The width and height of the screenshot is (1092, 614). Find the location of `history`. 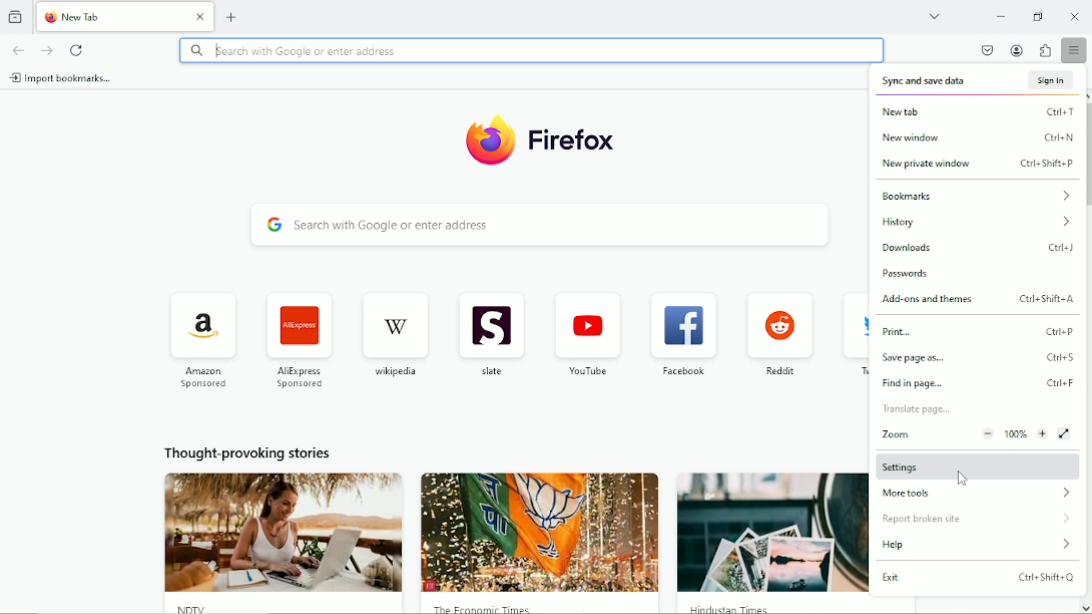

history is located at coordinates (978, 222).